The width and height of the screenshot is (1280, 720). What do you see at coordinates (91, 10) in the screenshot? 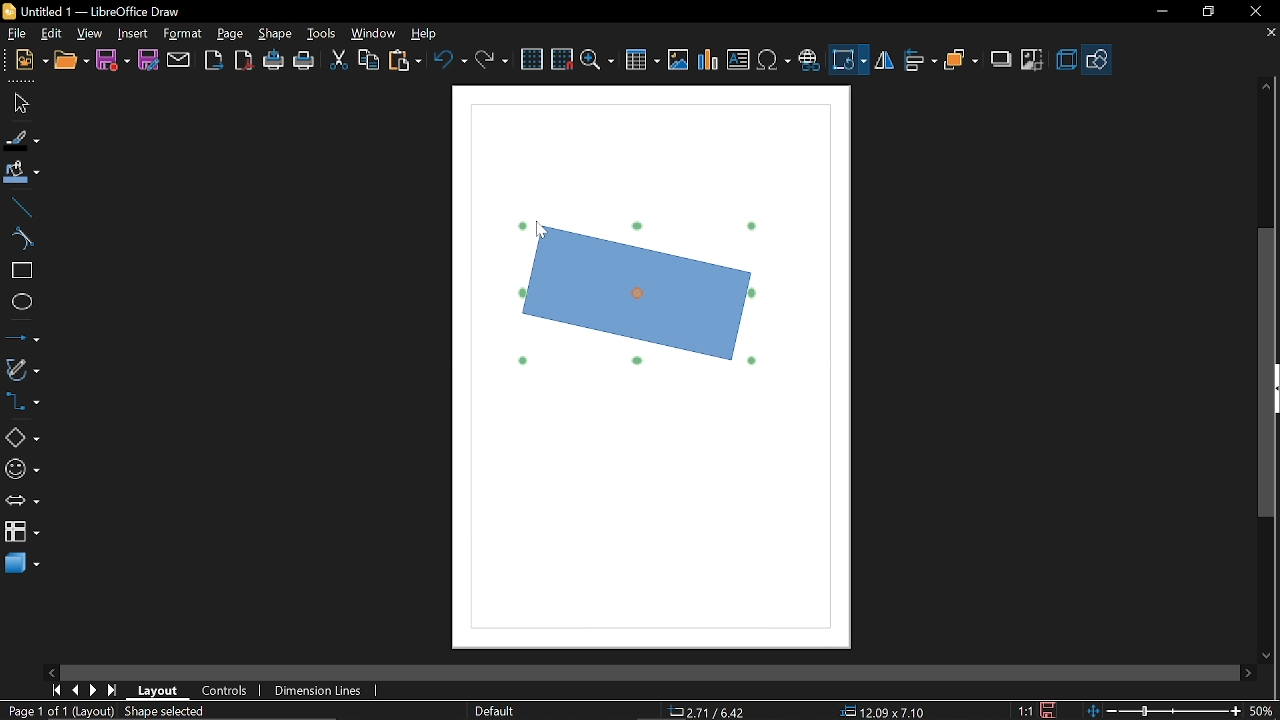
I see `Untitled 1 - LibreOffice Draw` at bounding box center [91, 10].